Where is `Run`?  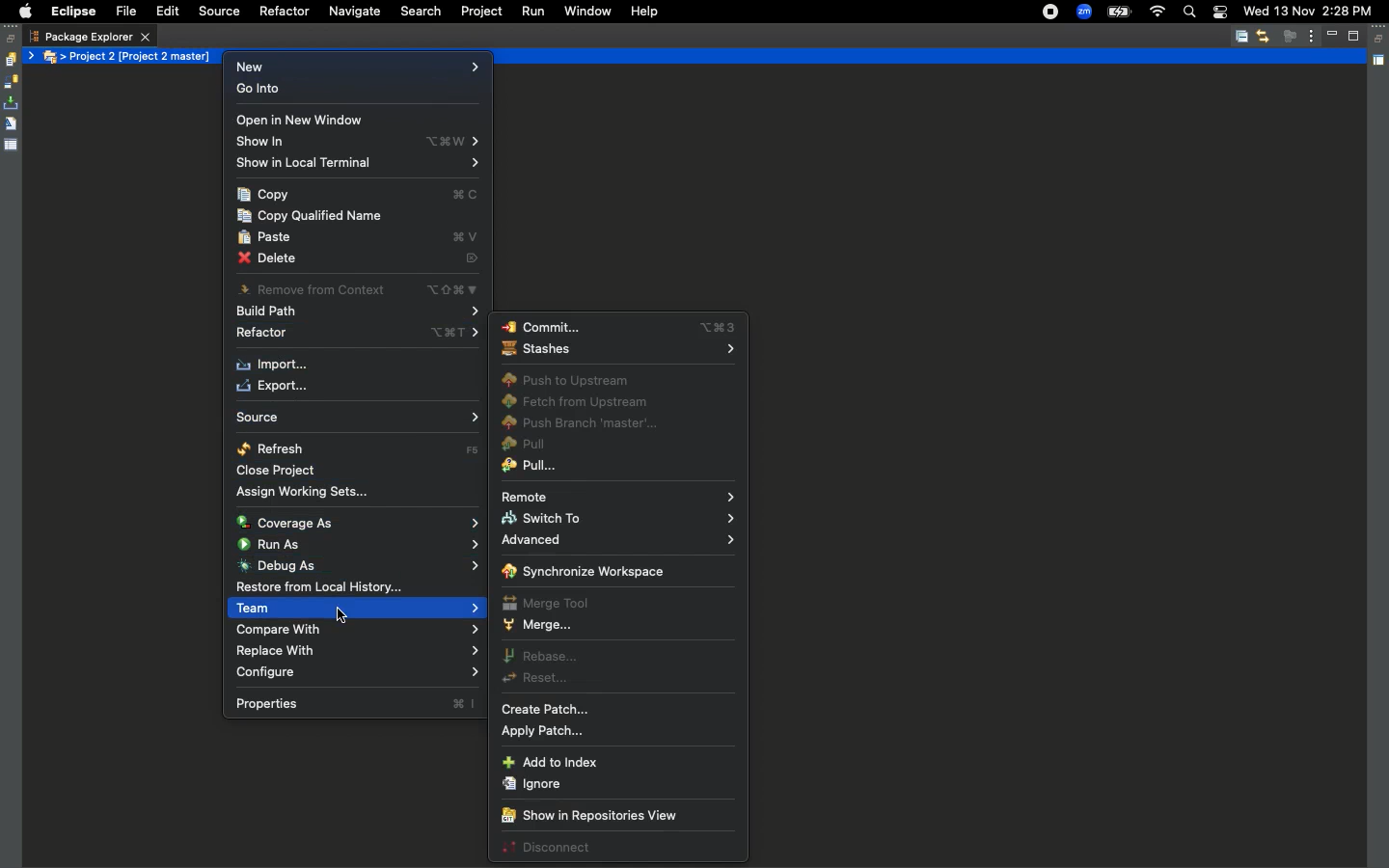 Run is located at coordinates (531, 12).